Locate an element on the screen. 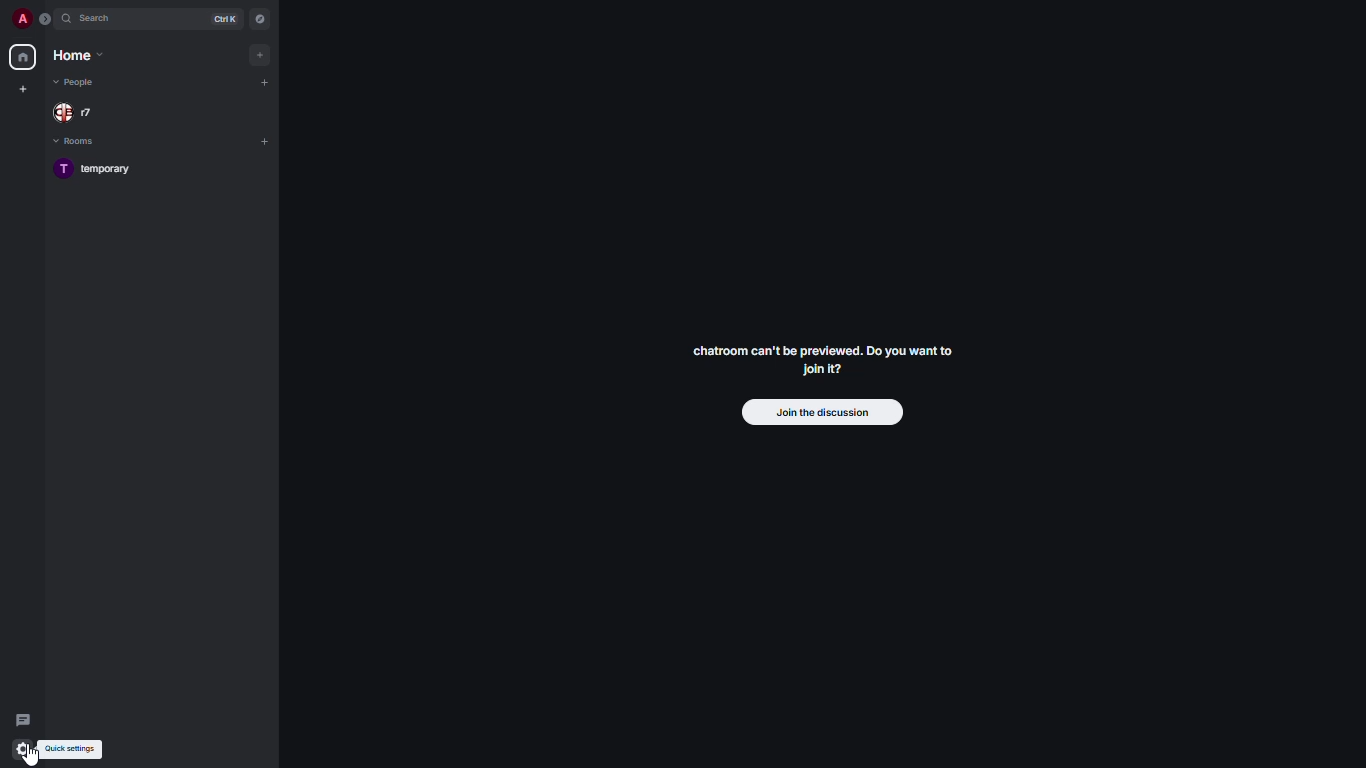 The width and height of the screenshot is (1366, 768). threads is located at coordinates (25, 714).